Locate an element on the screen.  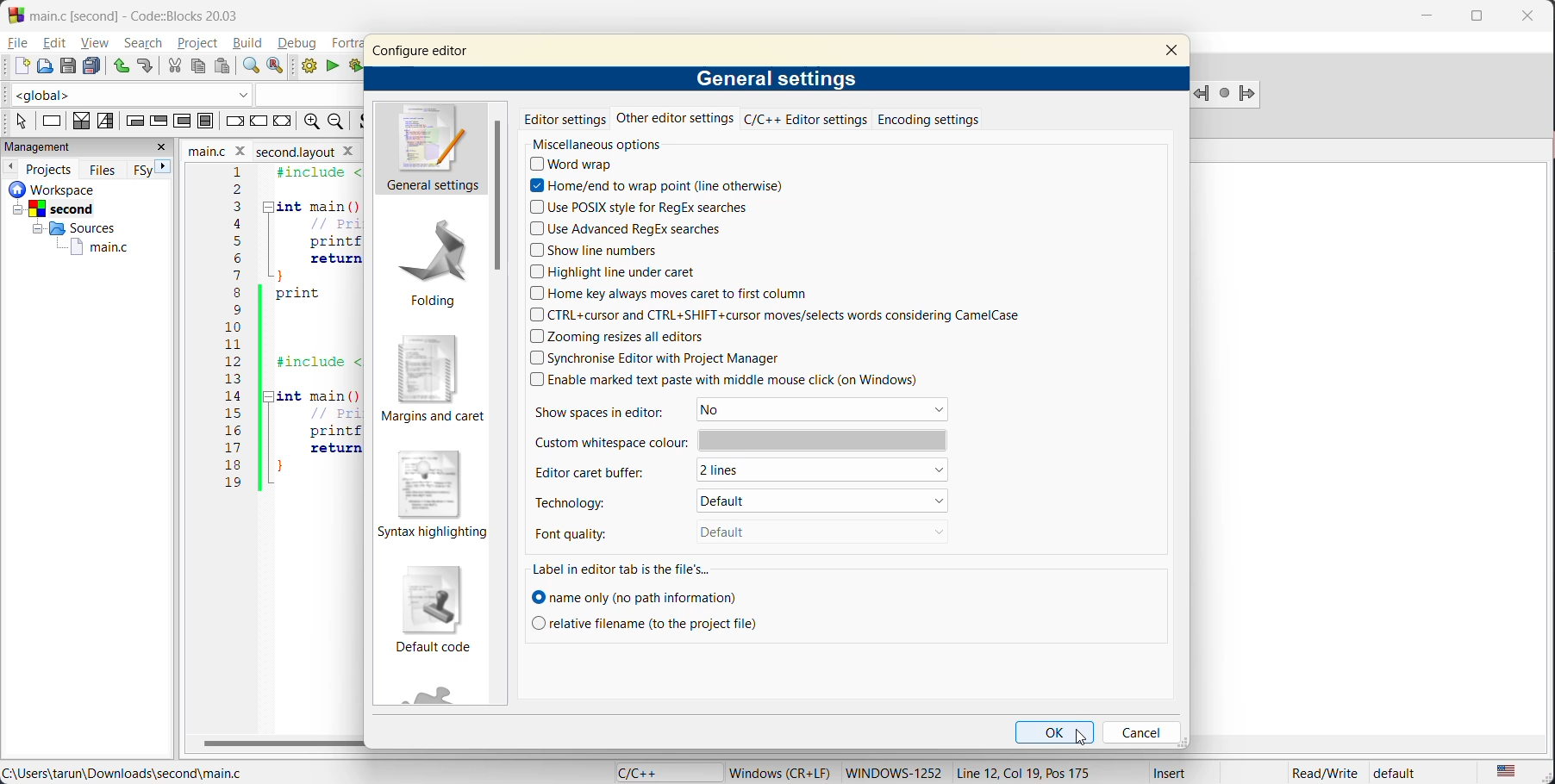
debug is located at coordinates (301, 44).